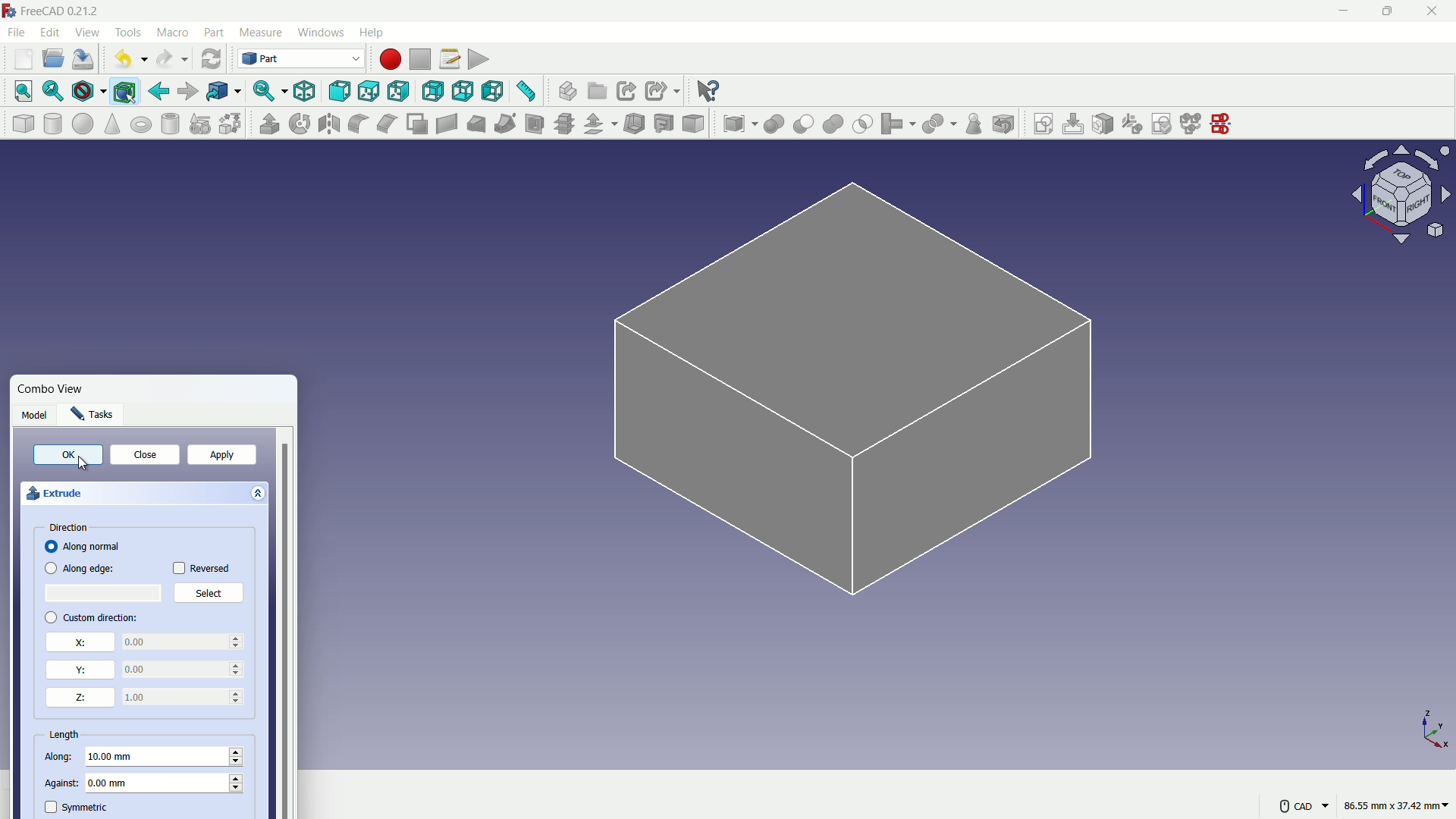  What do you see at coordinates (88, 568) in the screenshot?
I see `Along edge` at bounding box center [88, 568].